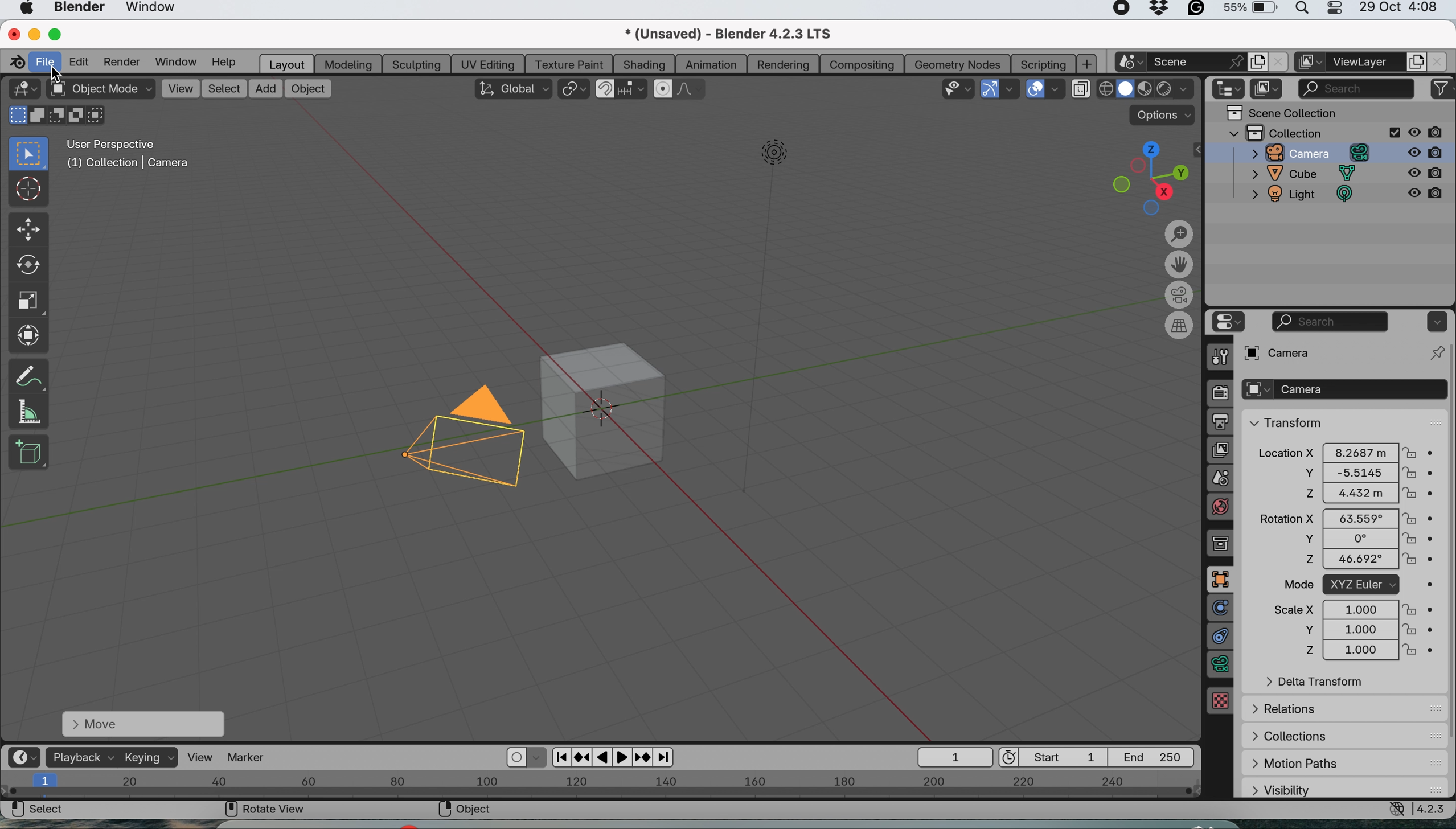 The width and height of the screenshot is (1456, 829). What do you see at coordinates (1315, 682) in the screenshot?
I see `delta transform` at bounding box center [1315, 682].